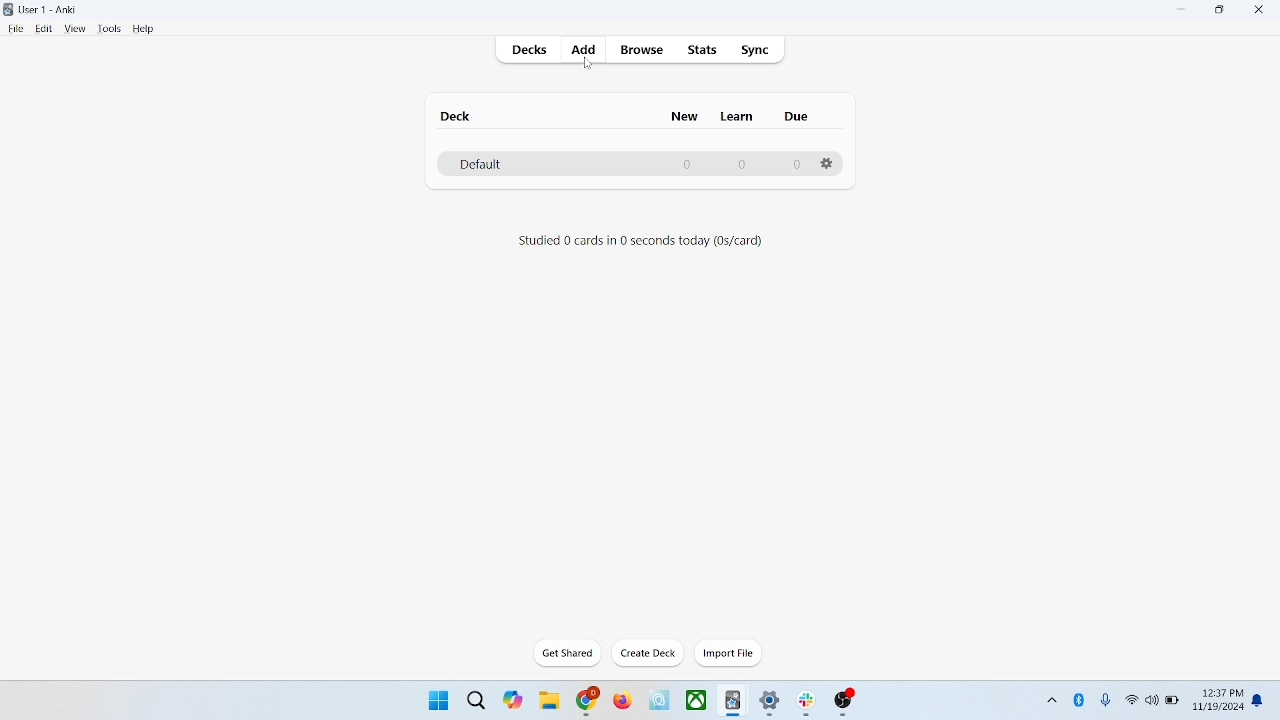 This screenshot has height=720, width=1280. Describe the element at coordinates (661, 701) in the screenshot. I see `icon` at that location.